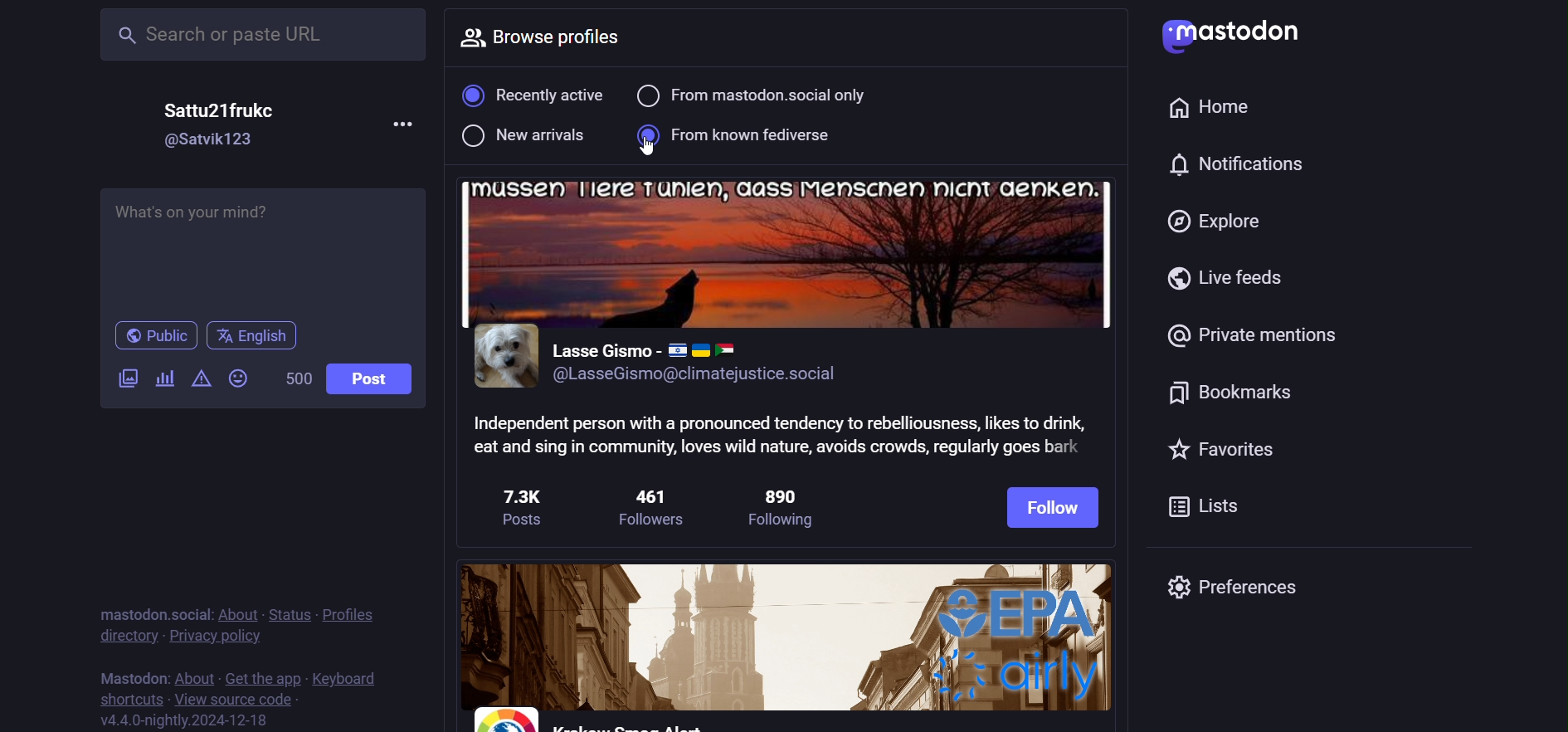  I want to click on about, so click(195, 674).